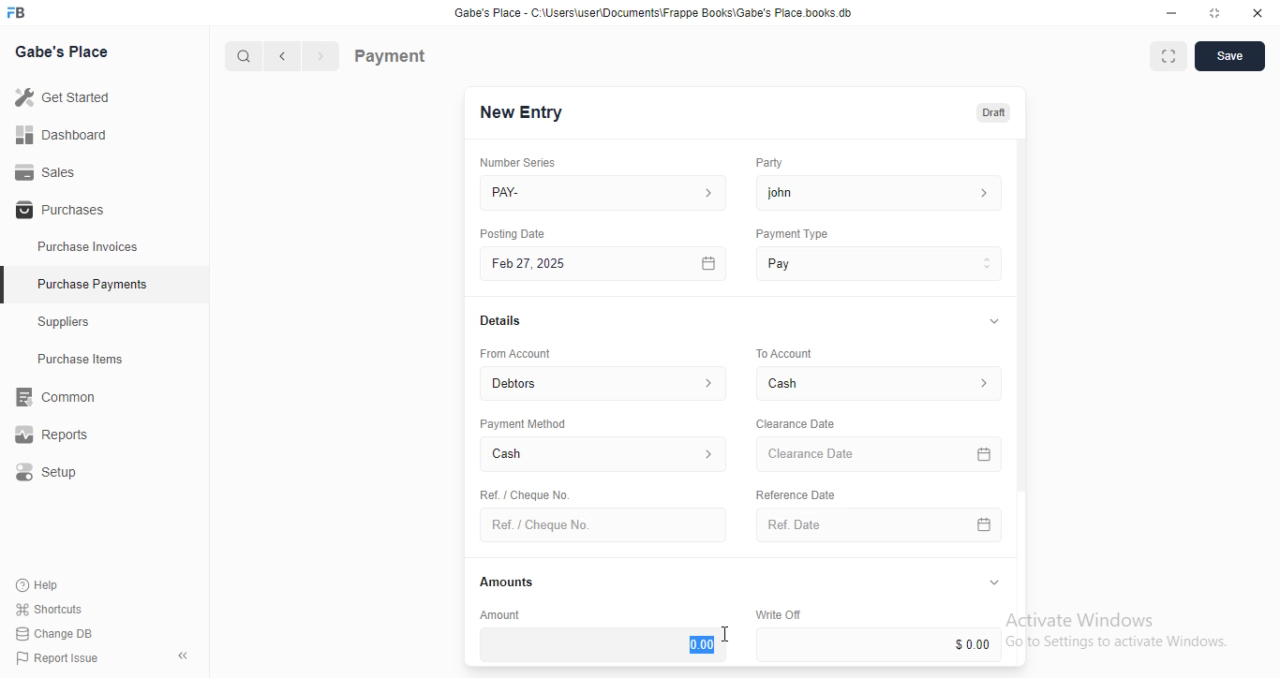  Describe the element at coordinates (52, 632) in the screenshot. I see `Change DB` at that location.